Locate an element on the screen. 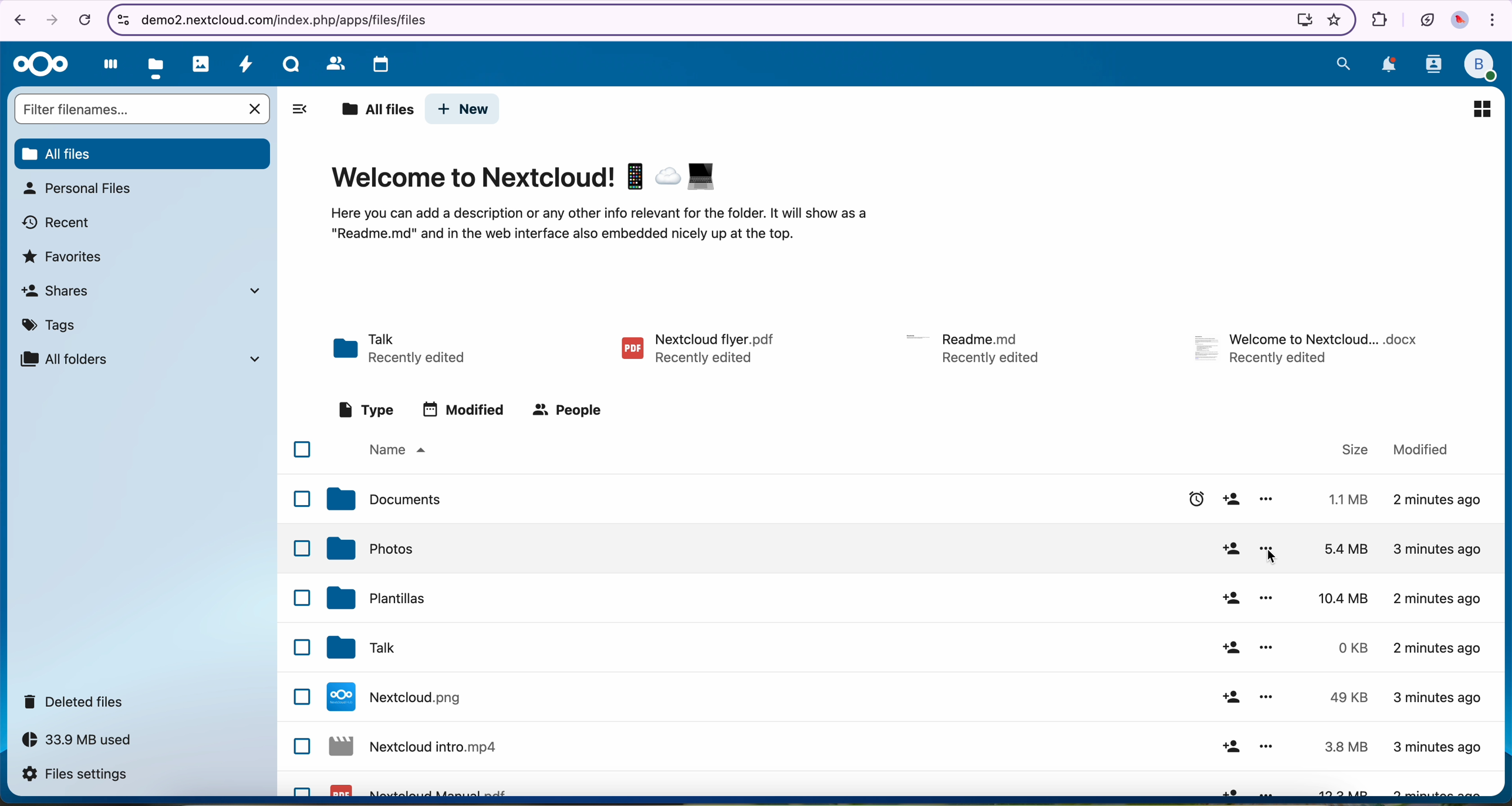  tak is located at coordinates (367, 648).